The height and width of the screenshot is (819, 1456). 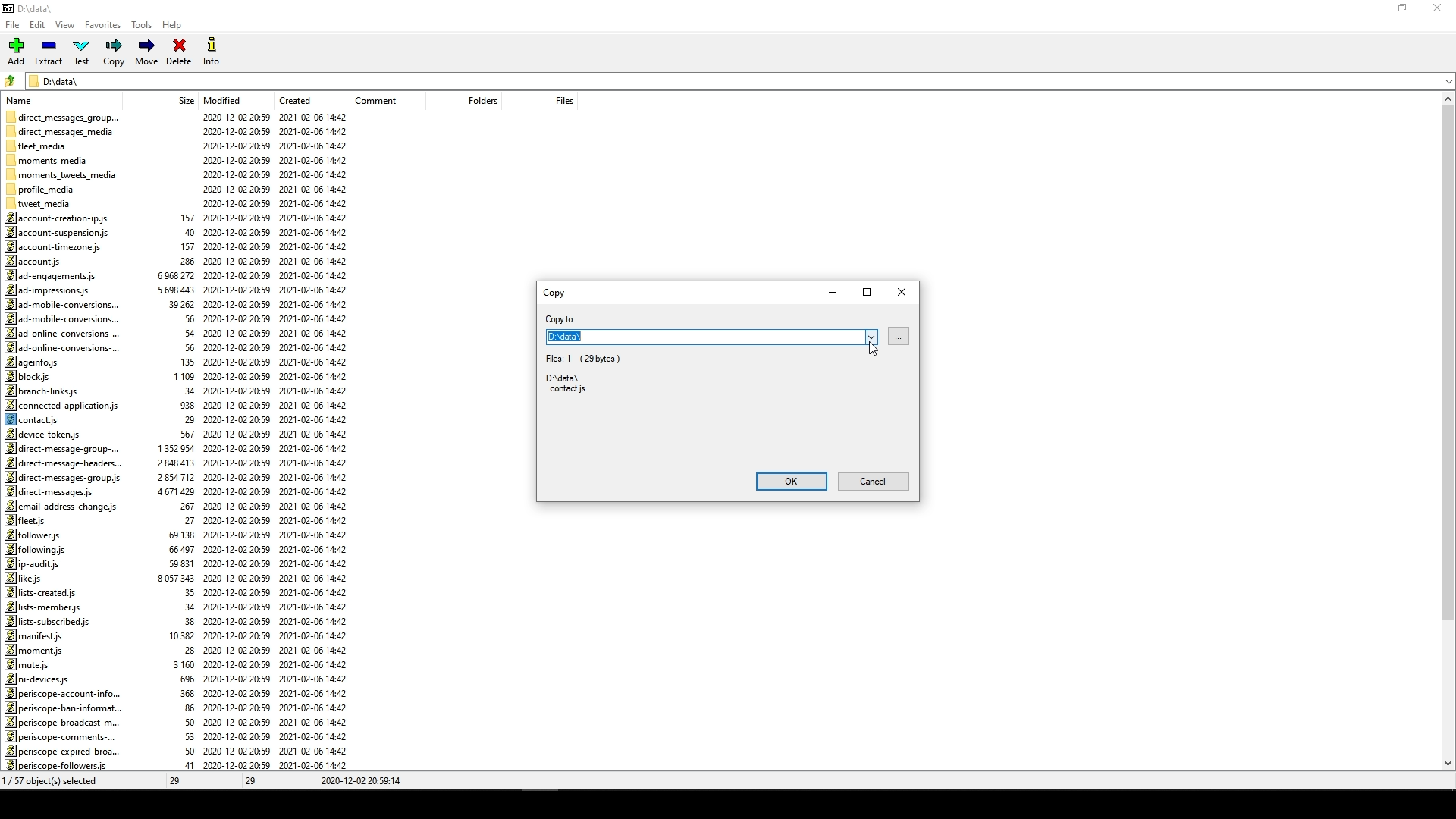 What do you see at coordinates (381, 100) in the screenshot?
I see `comment` at bounding box center [381, 100].